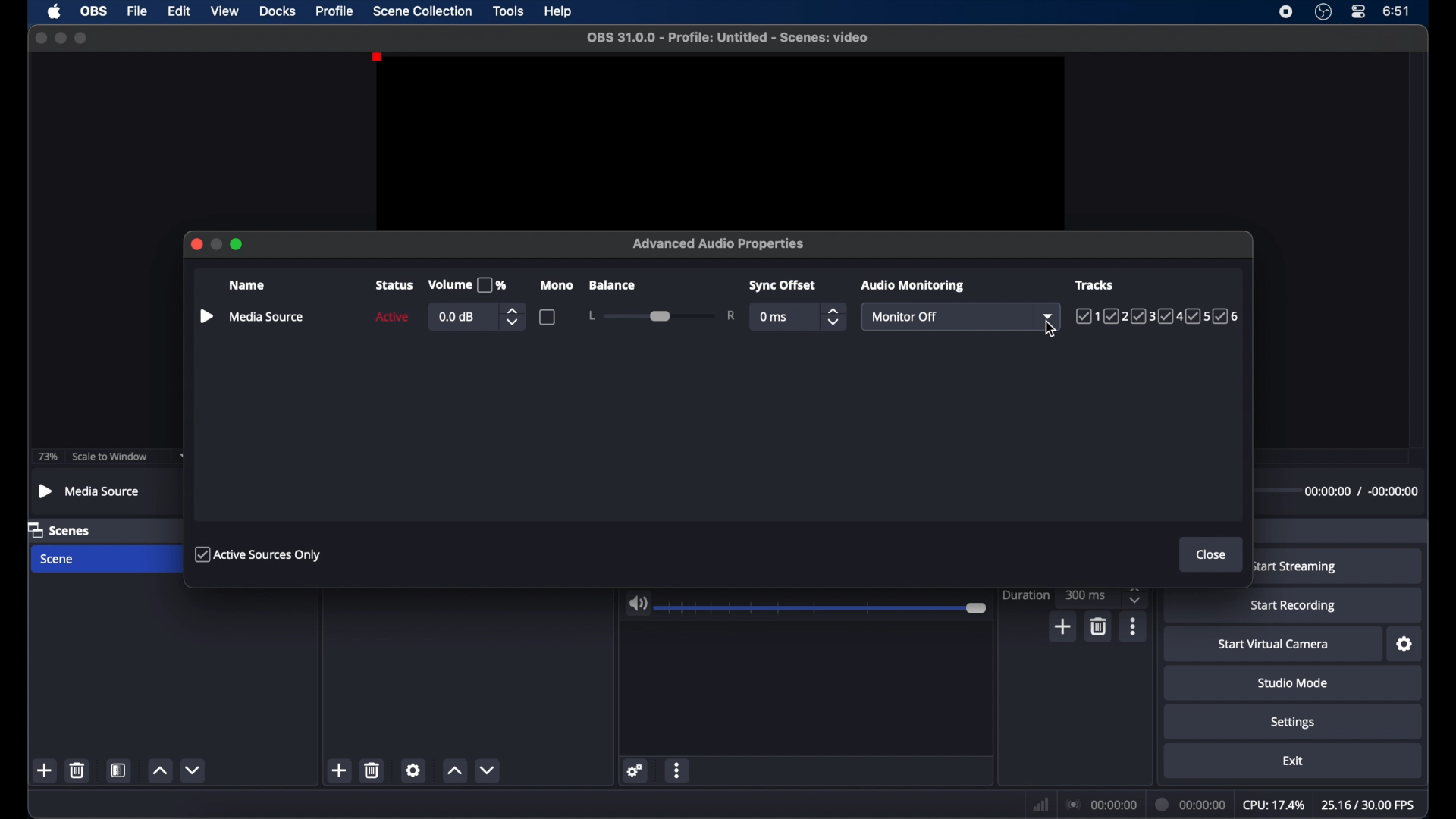 The width and height of the screenshot is (1456, 819). What do you see at coordinates (215, 245) in the screenshot?
I see `minimize` at bounding box center [215, 245].